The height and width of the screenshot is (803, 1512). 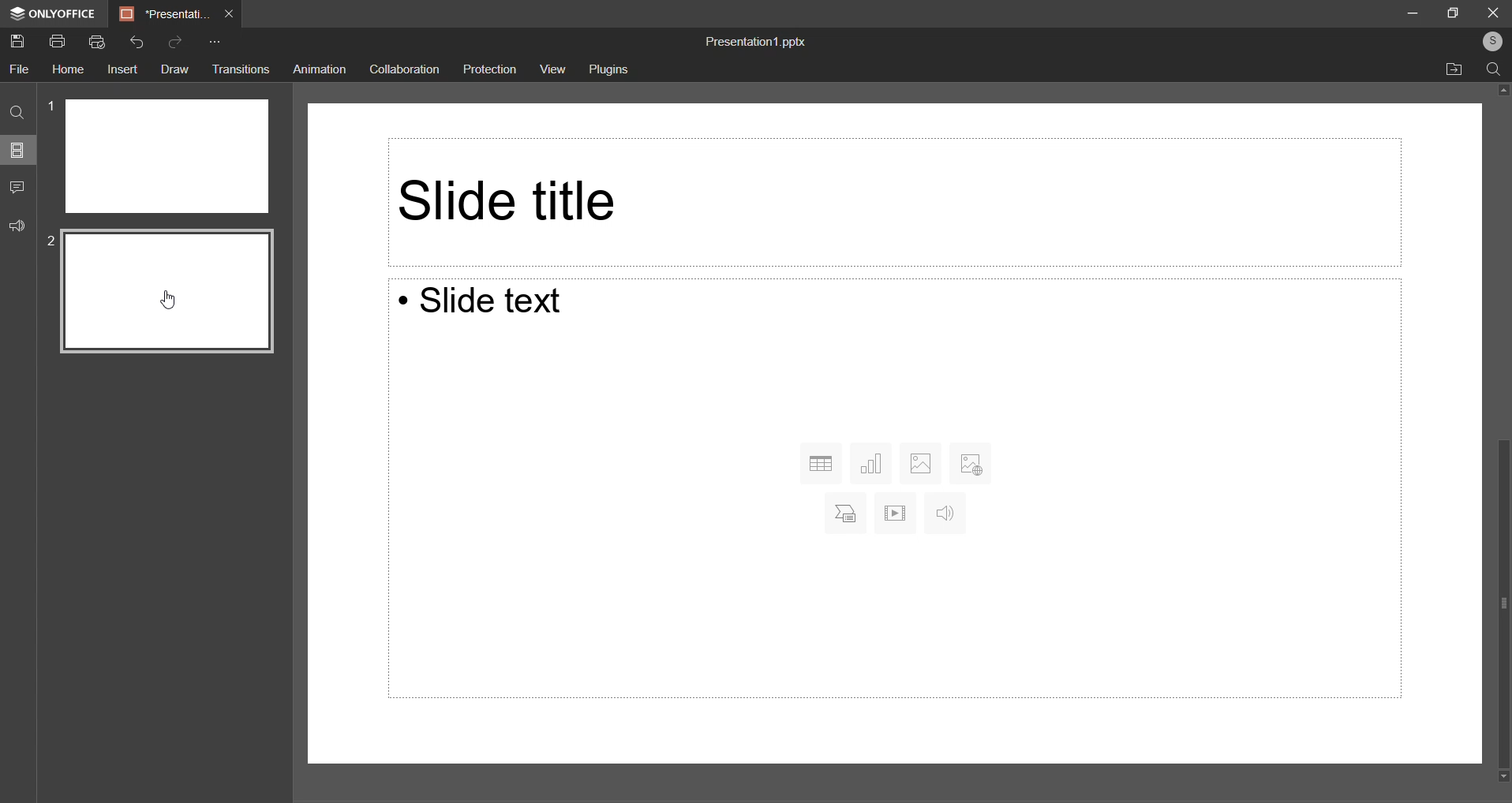 What do you see at coordinates (52, 242) in the screenshot?
I see `2` at bounding box center [52, 242].